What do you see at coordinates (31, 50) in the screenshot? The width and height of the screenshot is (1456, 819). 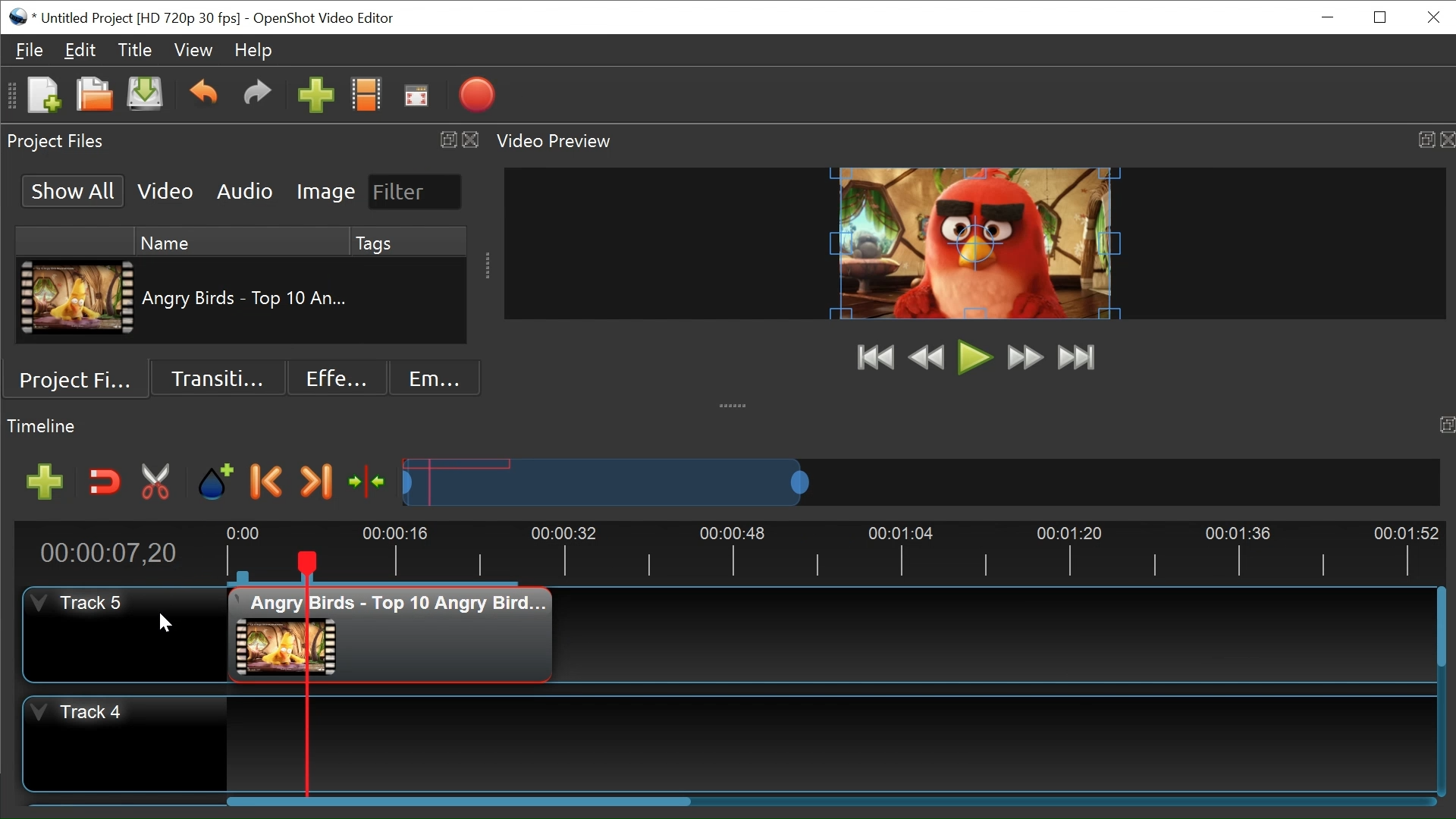 I see `File` at bounding box center [31, 50].